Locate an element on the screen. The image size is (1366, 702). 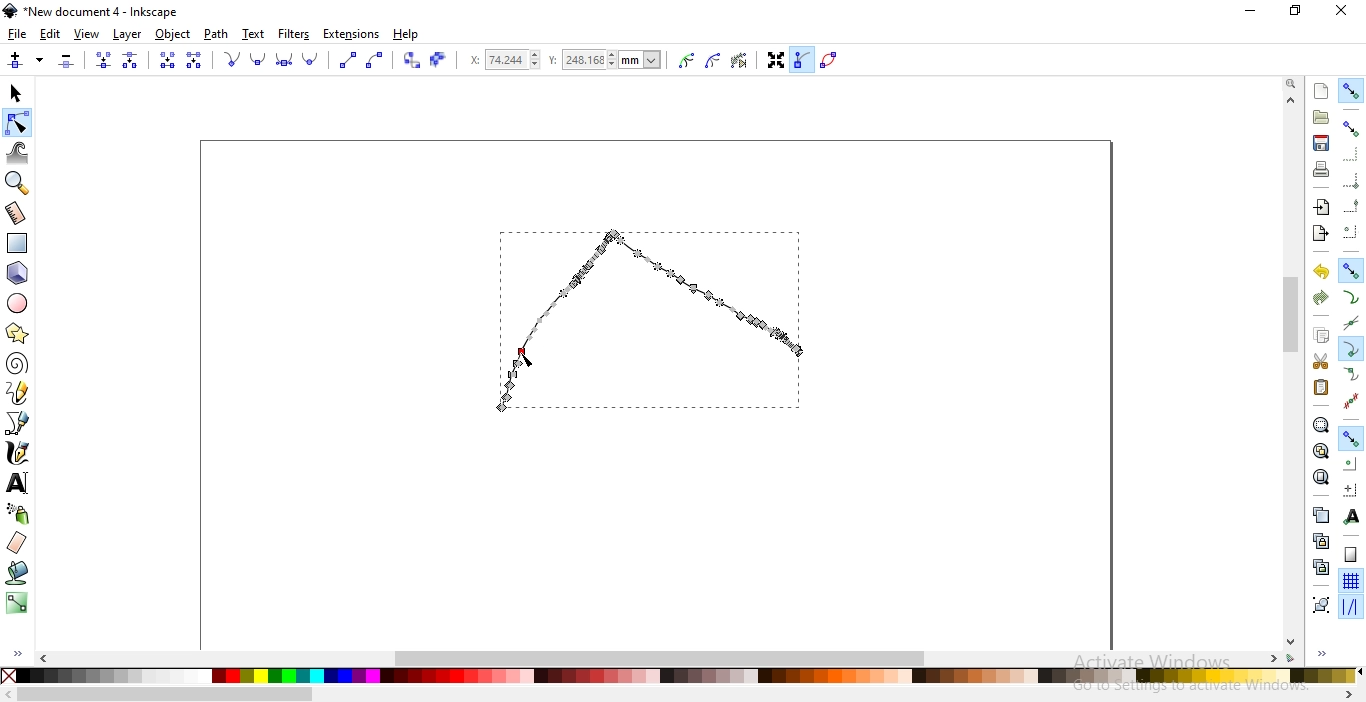
extensions is located at coordinates (351, 35).